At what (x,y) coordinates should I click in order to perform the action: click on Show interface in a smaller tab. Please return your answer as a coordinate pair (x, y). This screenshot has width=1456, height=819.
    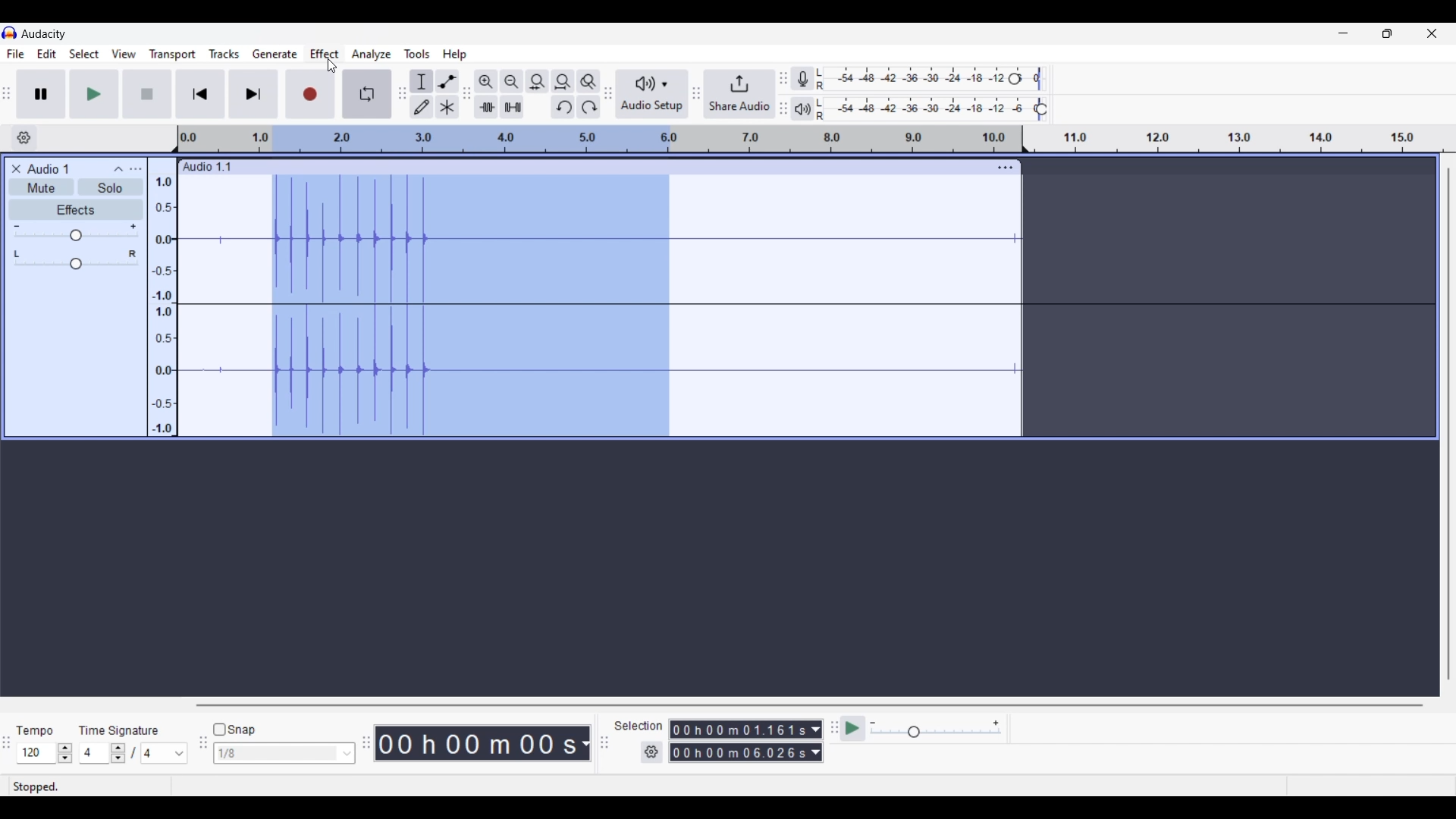
    Looking at the image, I should click on (1387, 33).